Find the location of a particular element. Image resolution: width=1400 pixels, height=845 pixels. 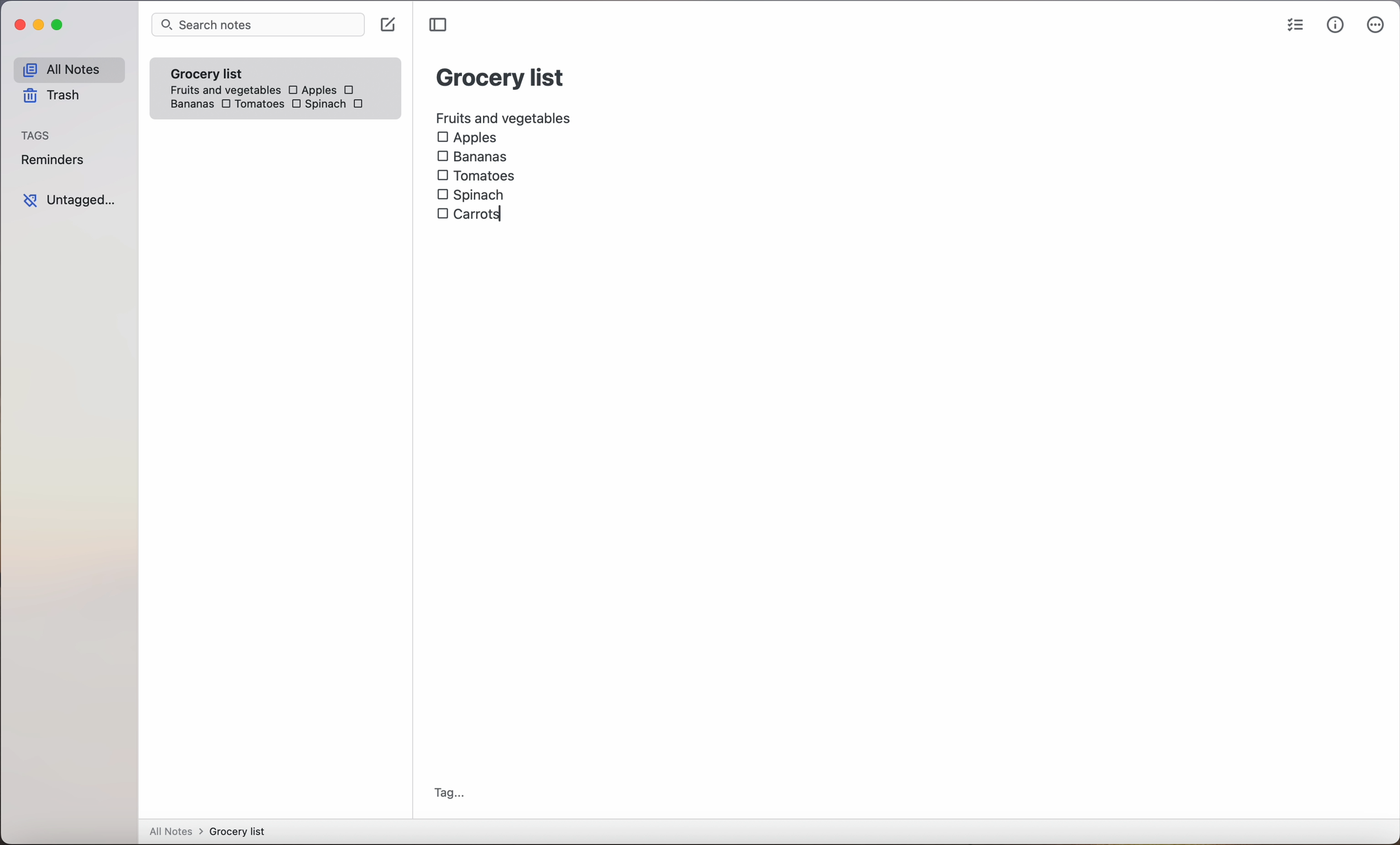

fruits and vegetables is located at coordinates (505, 116).